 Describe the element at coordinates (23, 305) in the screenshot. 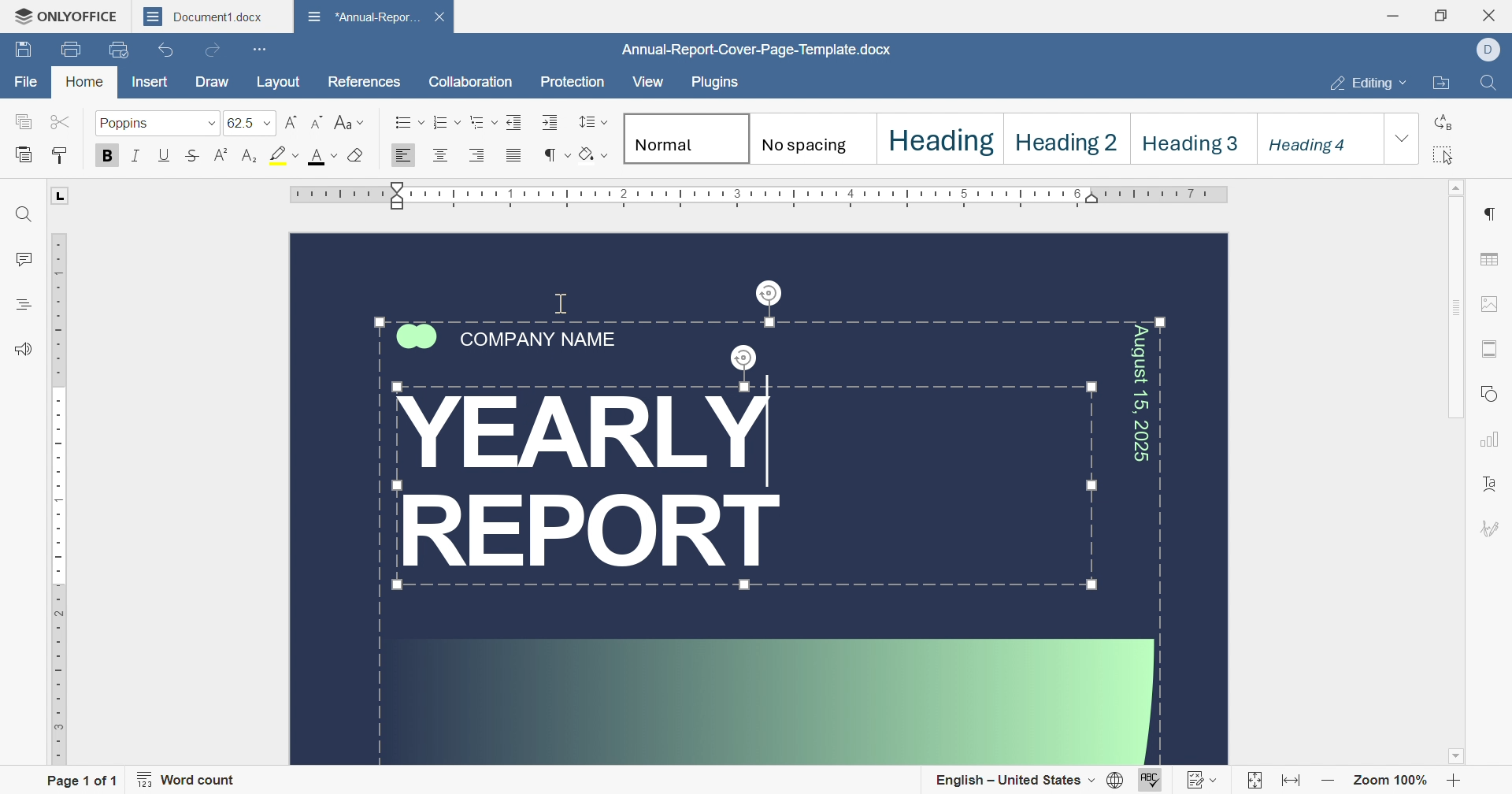

I see `headings` at that location.